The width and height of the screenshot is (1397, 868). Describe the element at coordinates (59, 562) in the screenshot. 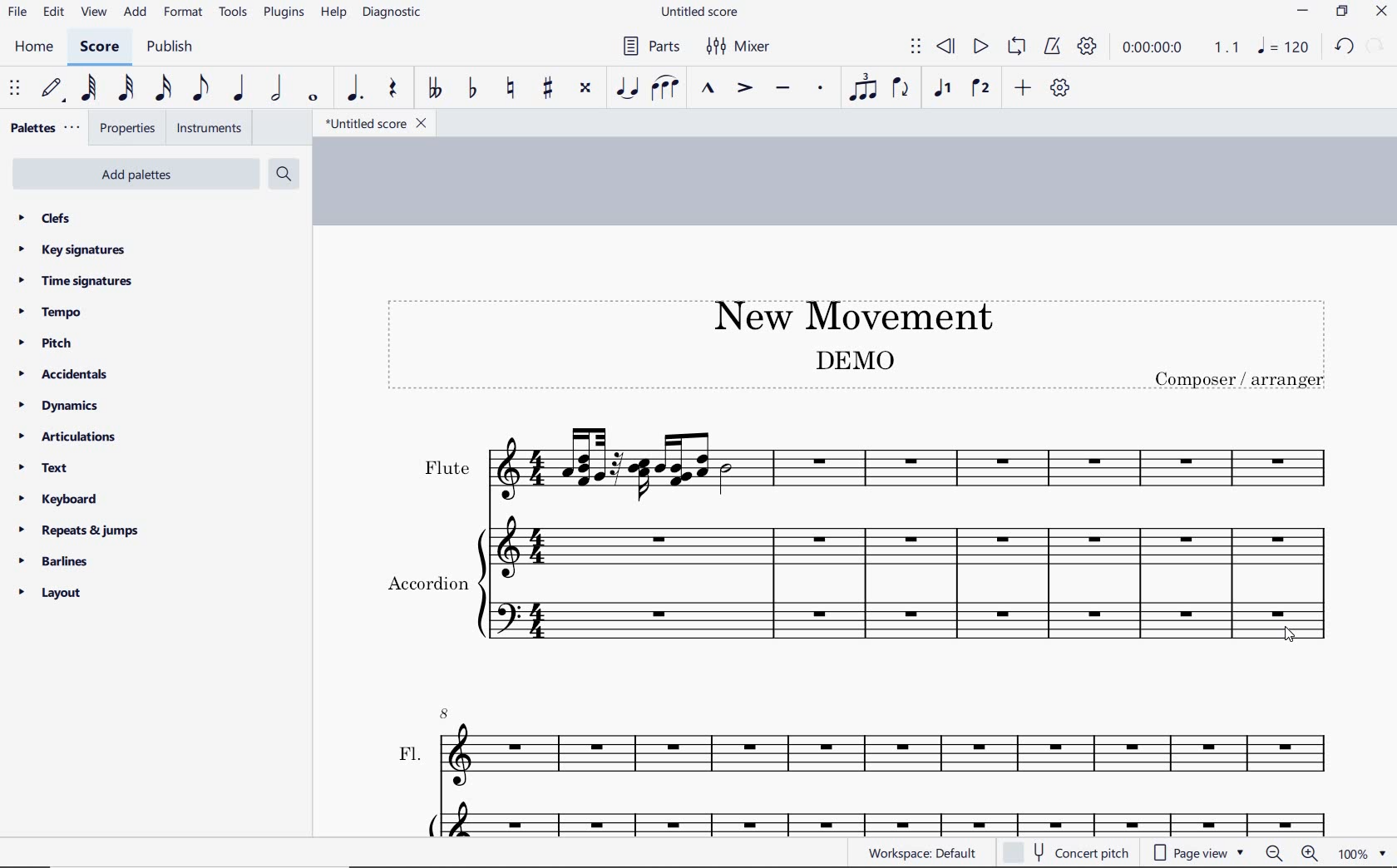

I see `barlines` at that location.